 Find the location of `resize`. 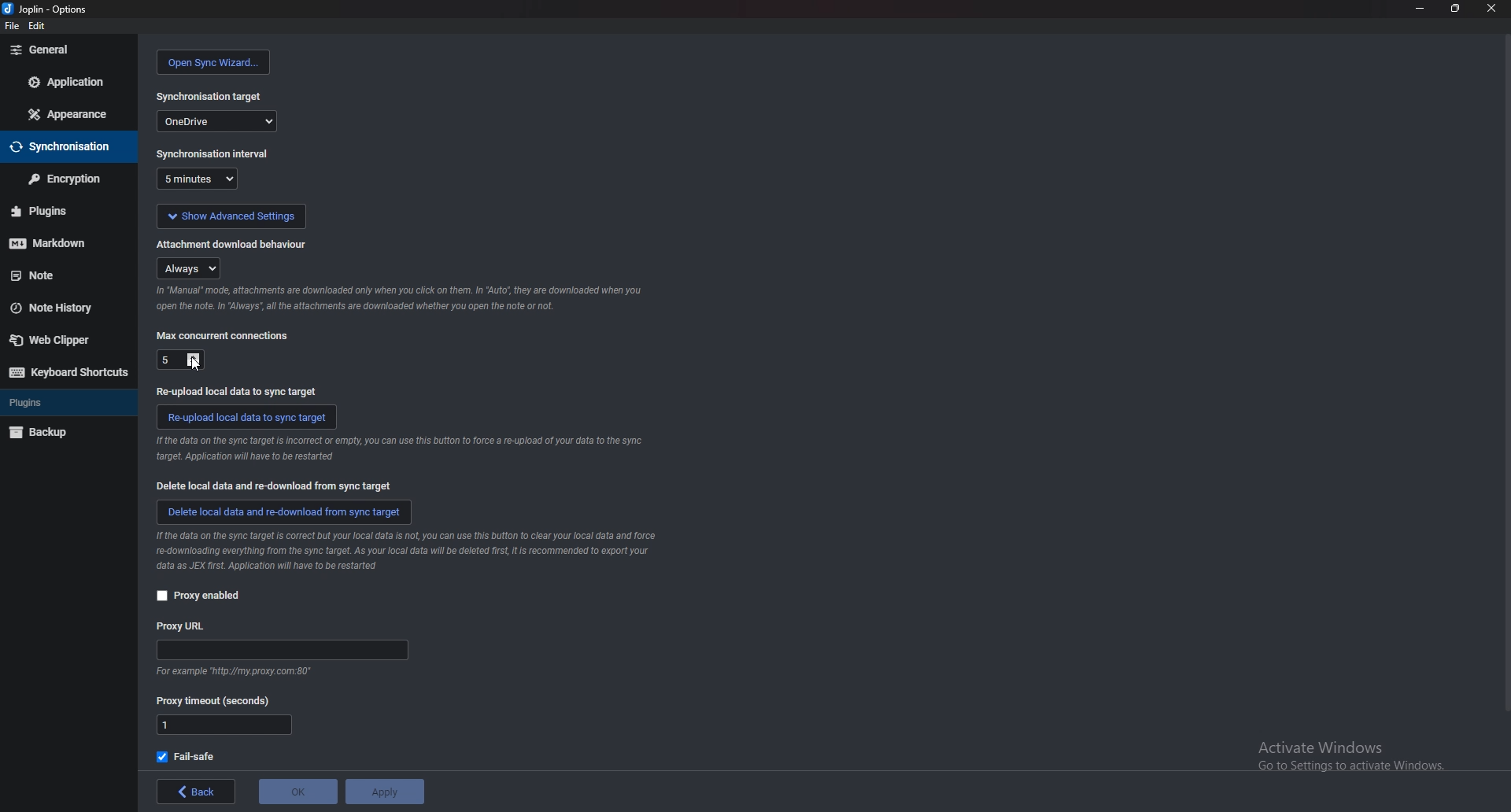

resize is located at coordinates (1455, 8).